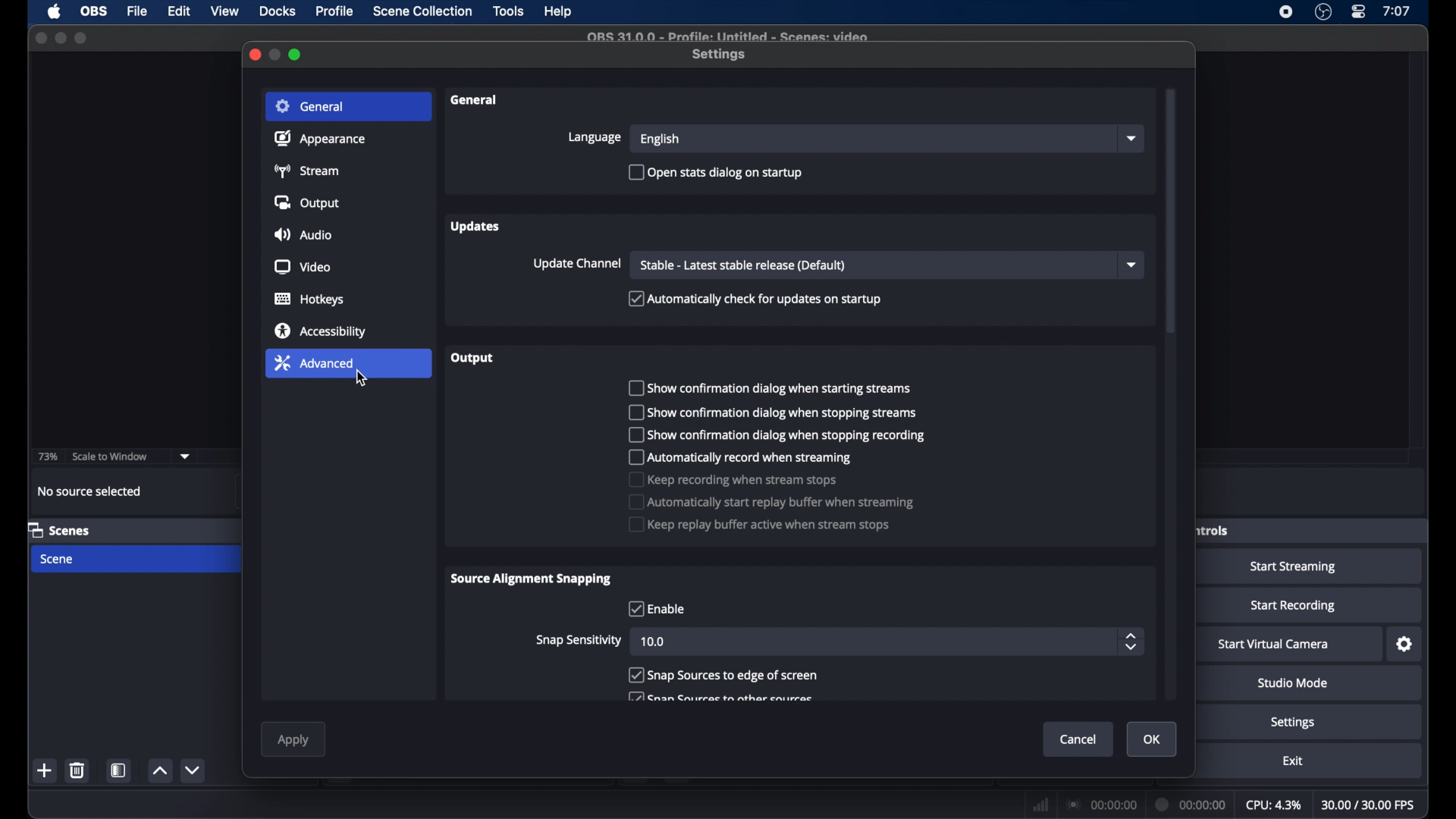  I want to click on checkbox, so click(739, 457).